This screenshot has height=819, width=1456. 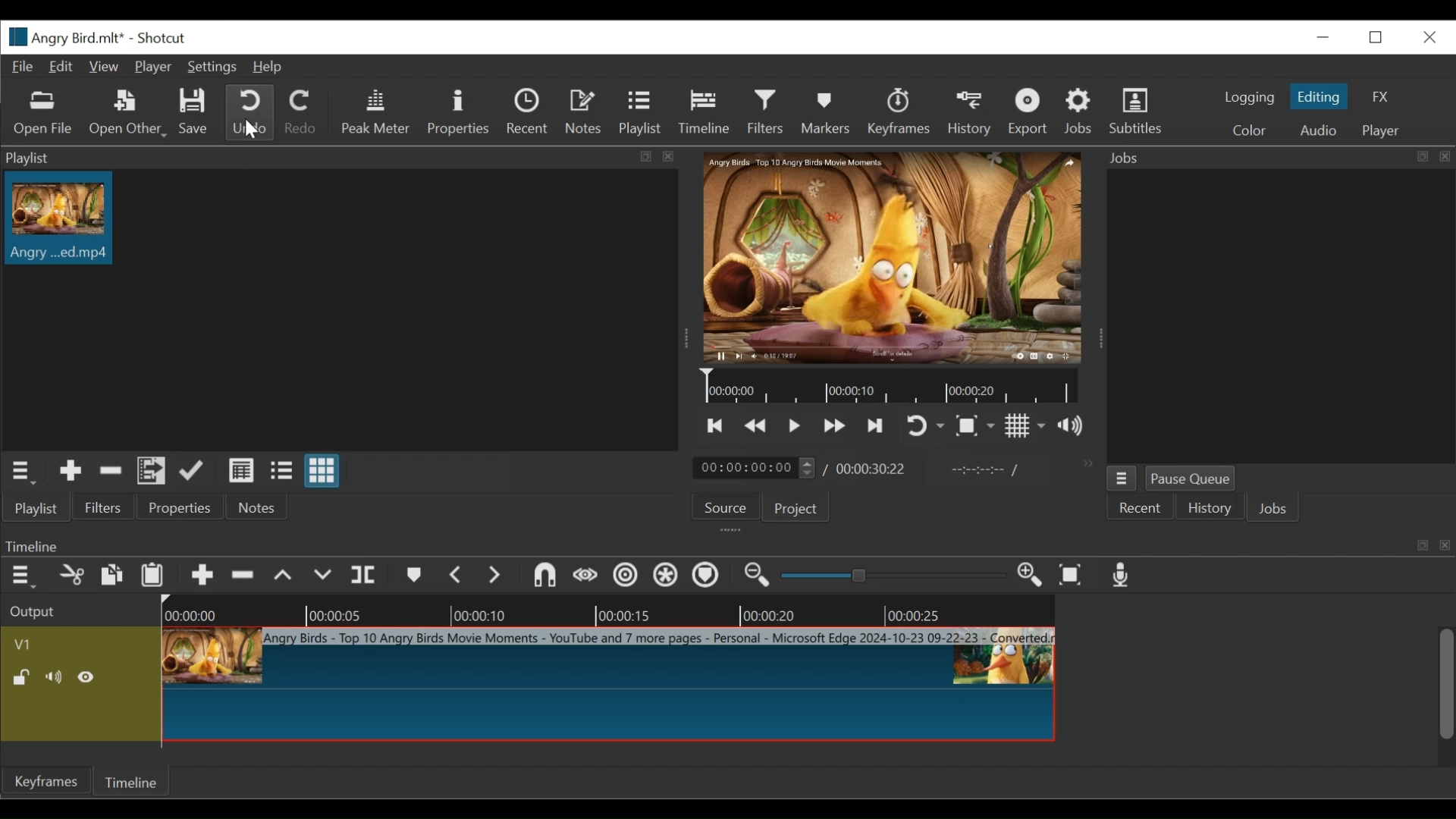 What do you see at coordinates (36, 642) in the screenshot?
I see `Video Track Name` at bounding box center [36, 642].